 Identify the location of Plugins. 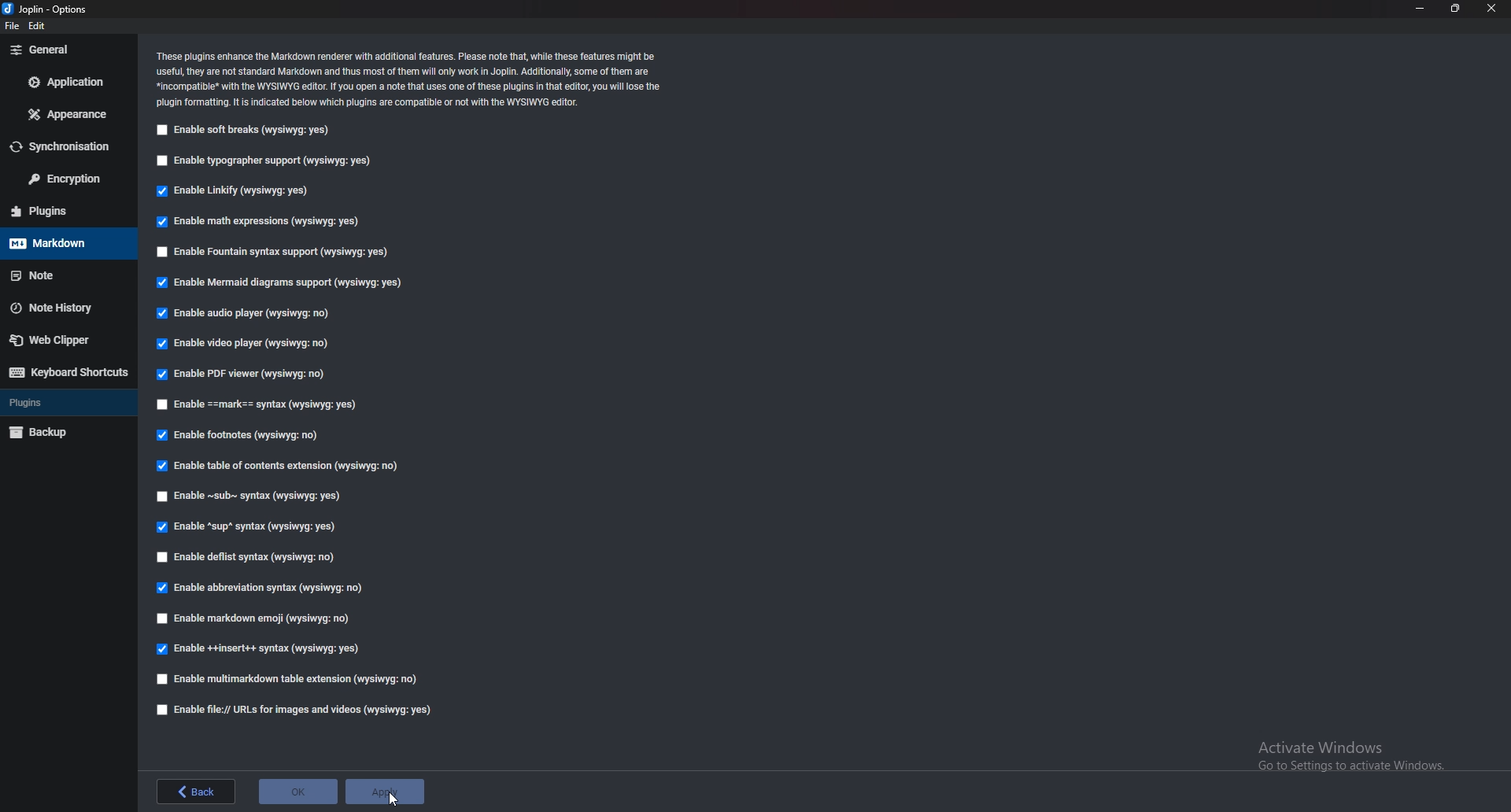
(58, 212).